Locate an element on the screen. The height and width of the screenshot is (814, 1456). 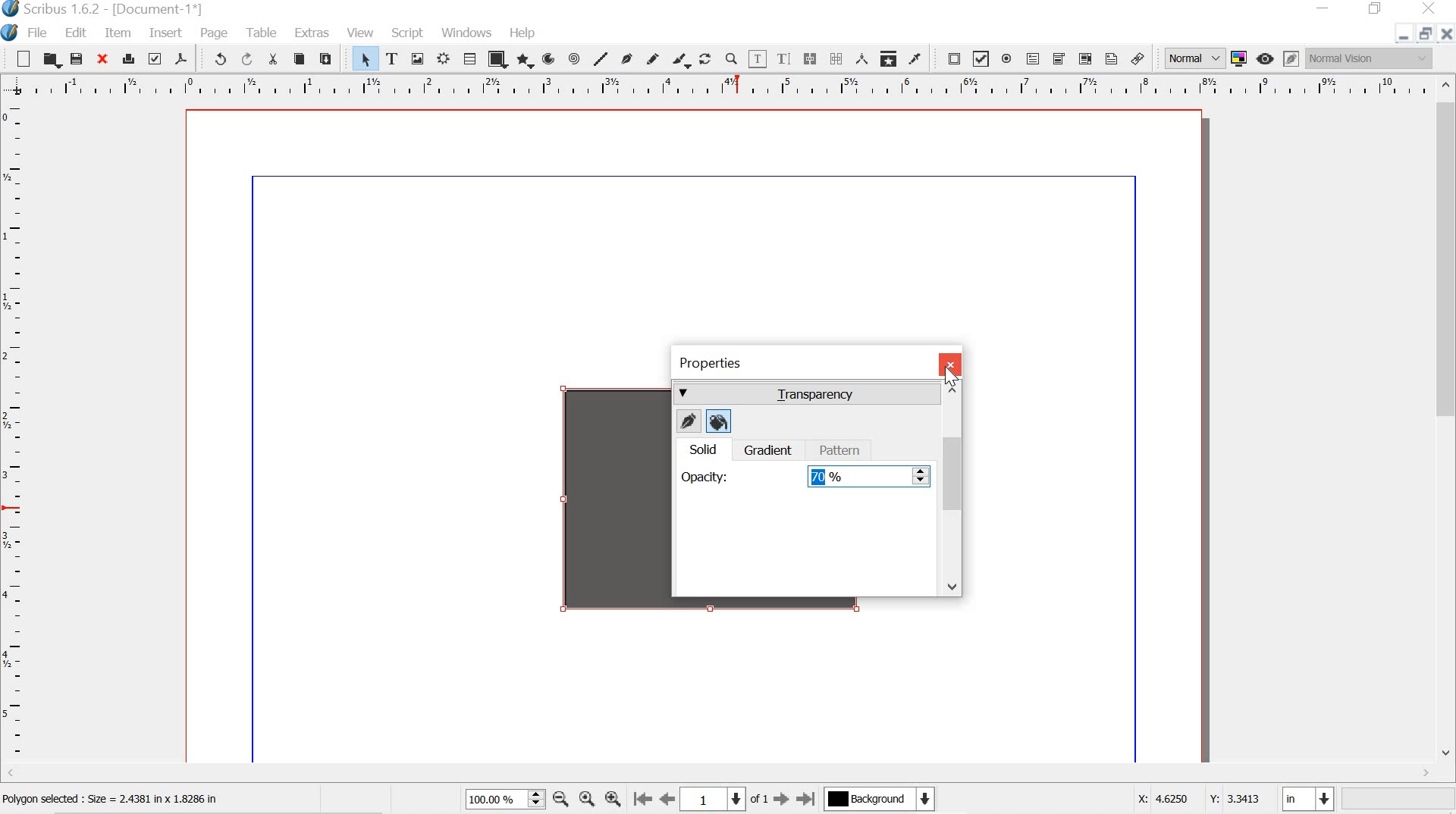
cut is located at coordinates (275, 61).